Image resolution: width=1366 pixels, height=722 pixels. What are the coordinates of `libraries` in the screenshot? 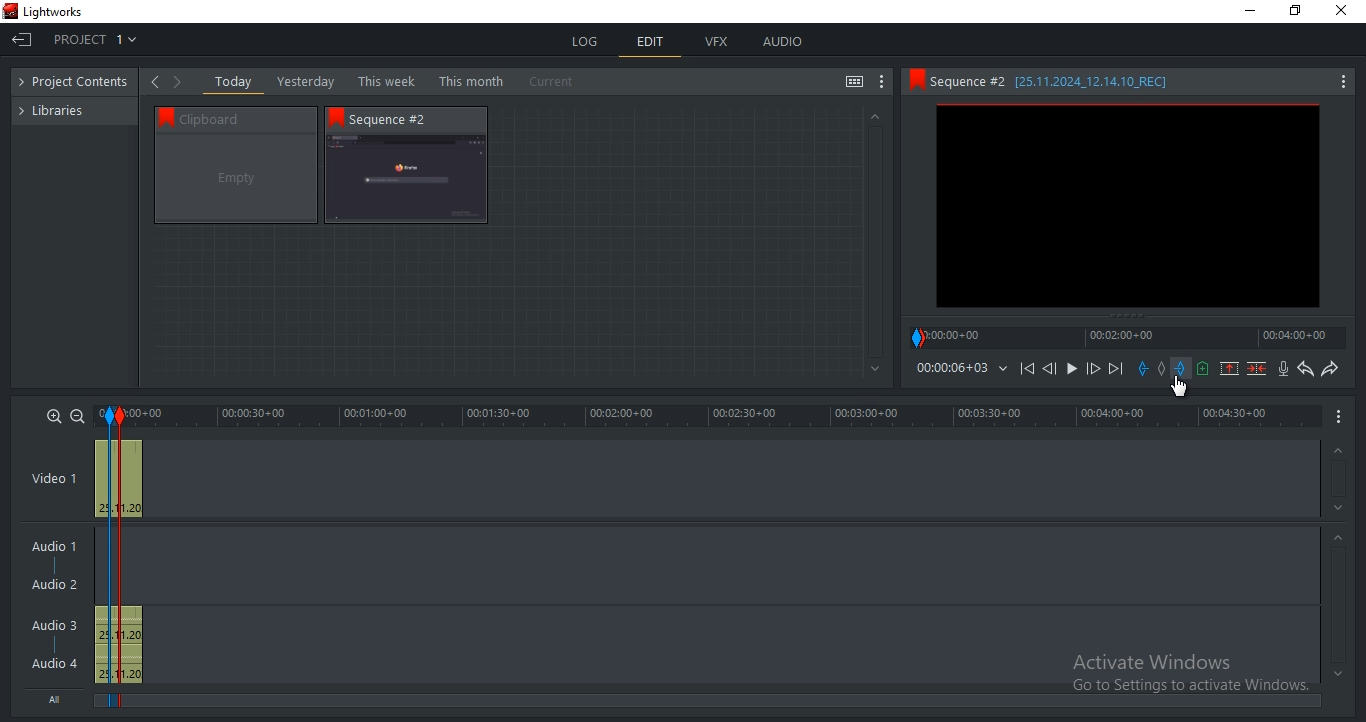 It's located at (61, 109).